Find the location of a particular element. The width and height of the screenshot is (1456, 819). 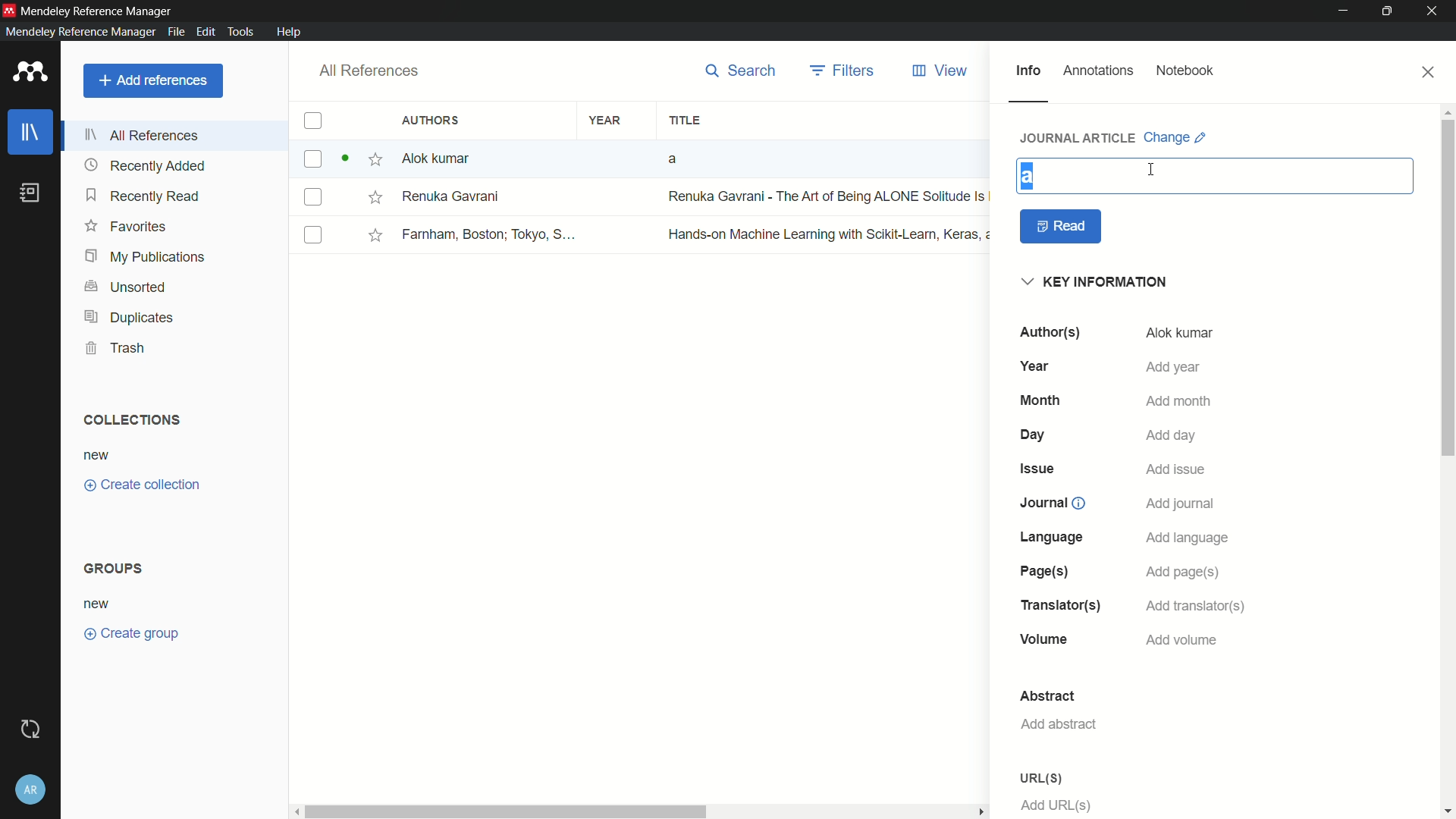

translations is located at coordinates (1059, 605).